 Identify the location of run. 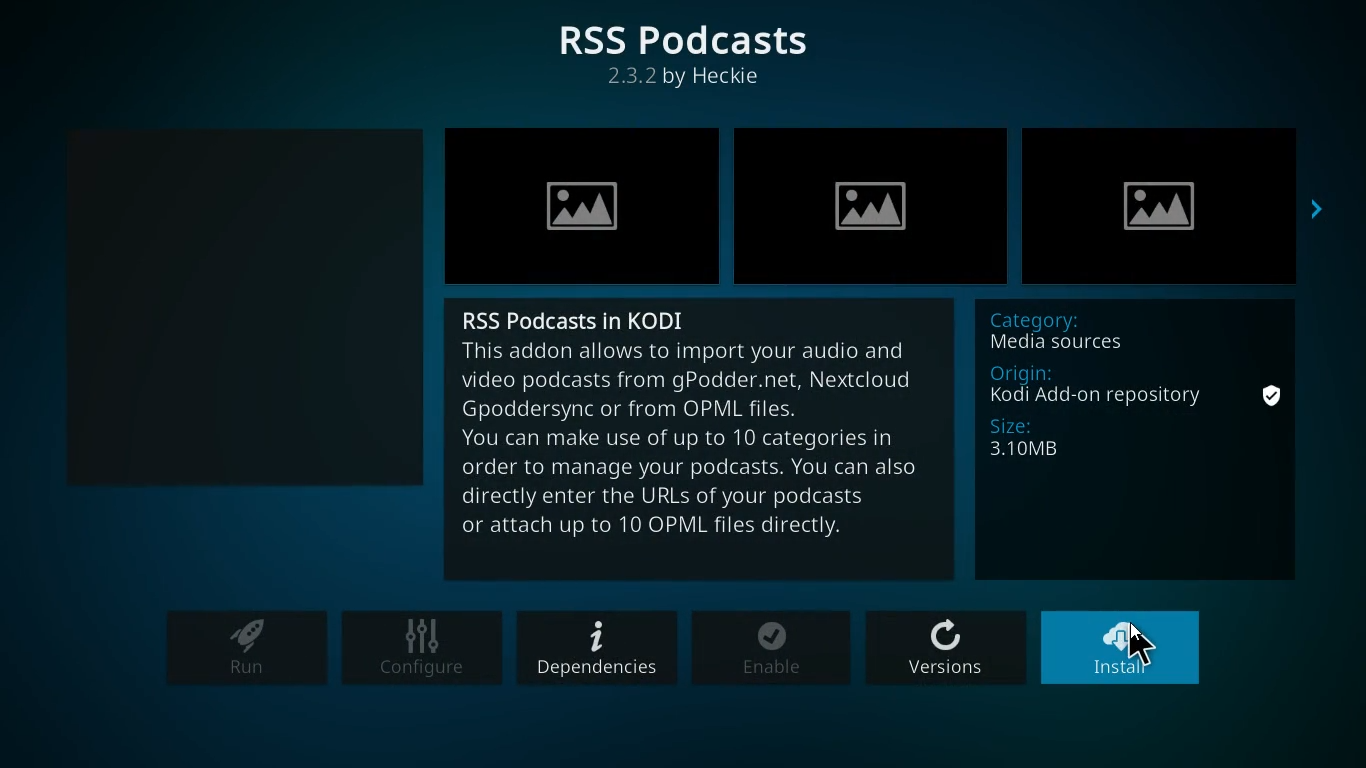
(245, 649).